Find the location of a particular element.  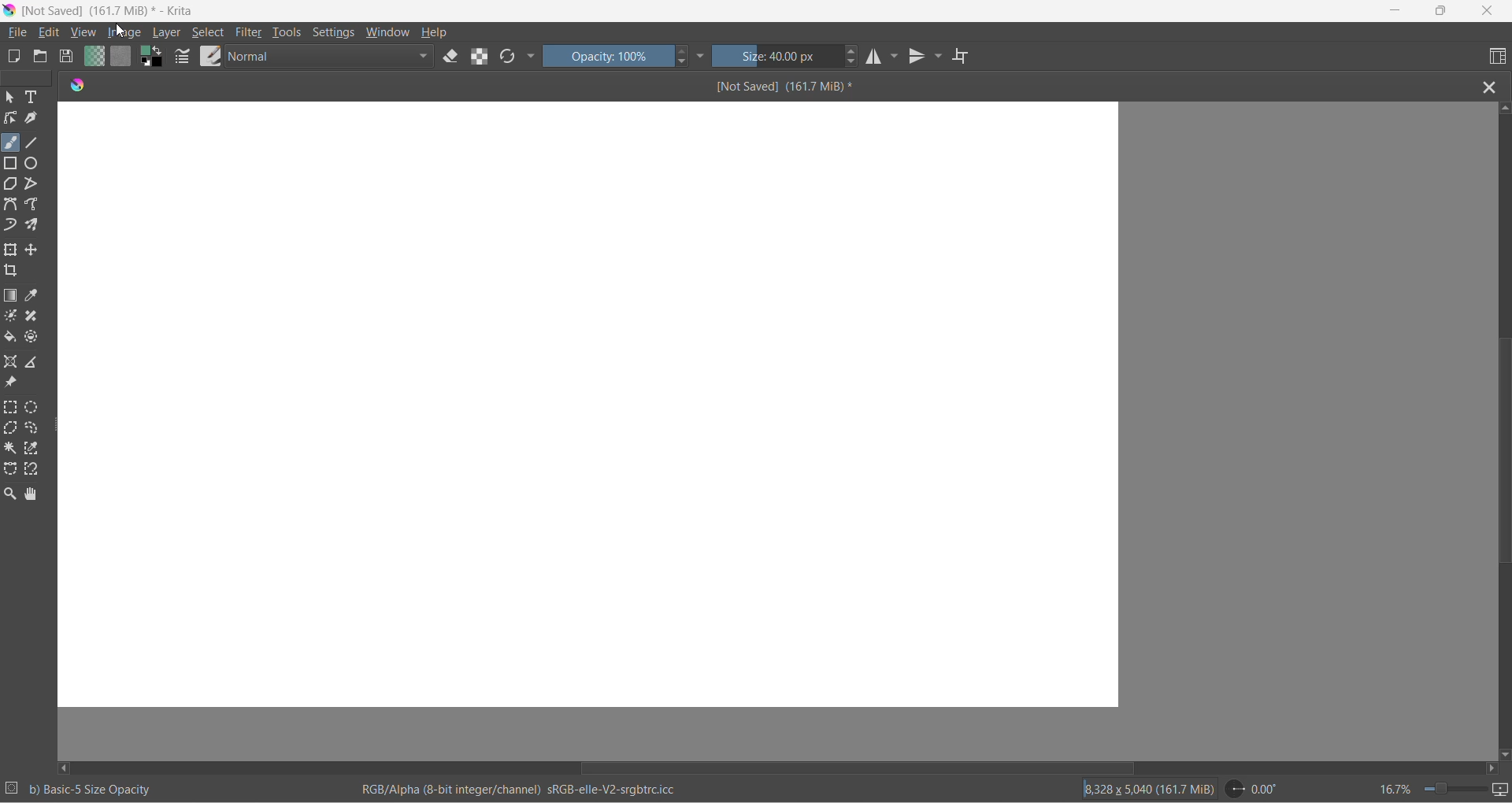

similar color selection tool is located at coordinates (35, 451).